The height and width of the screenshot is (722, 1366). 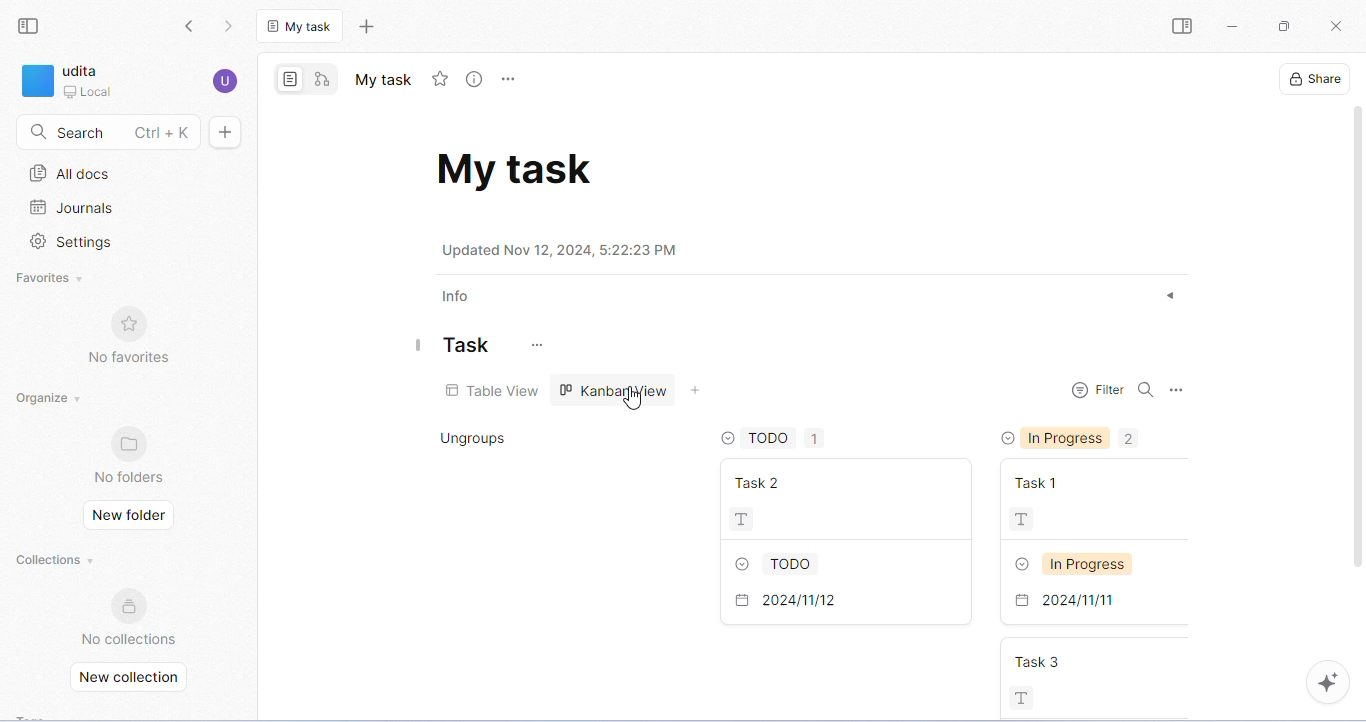 What do you see at coordinates (70, 173) in the screenshot?
I see `all docs` at bounding box center [70, 173].